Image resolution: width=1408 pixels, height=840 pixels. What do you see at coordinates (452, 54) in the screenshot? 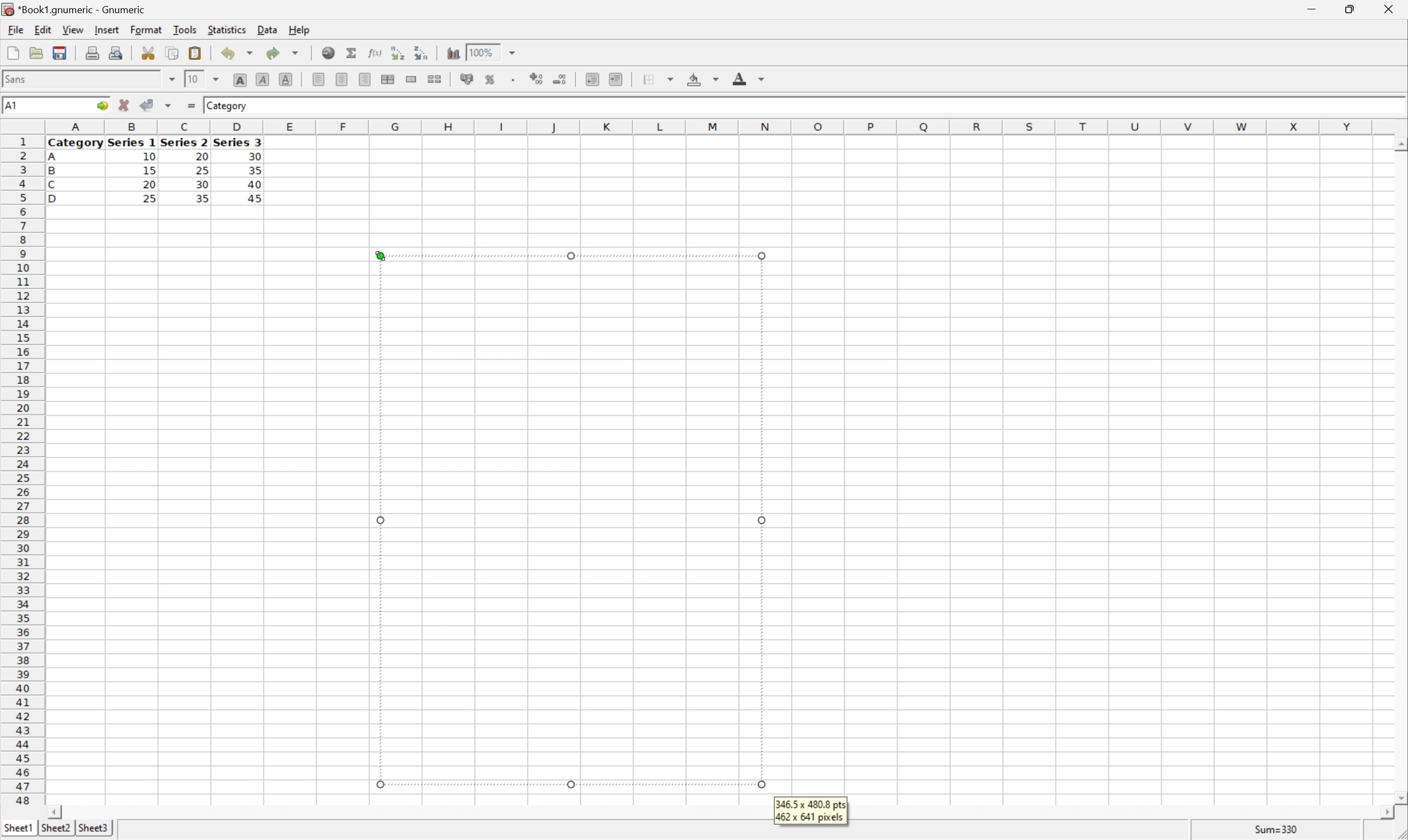
I see `Insert a chart` at bounding box center [452, 54].